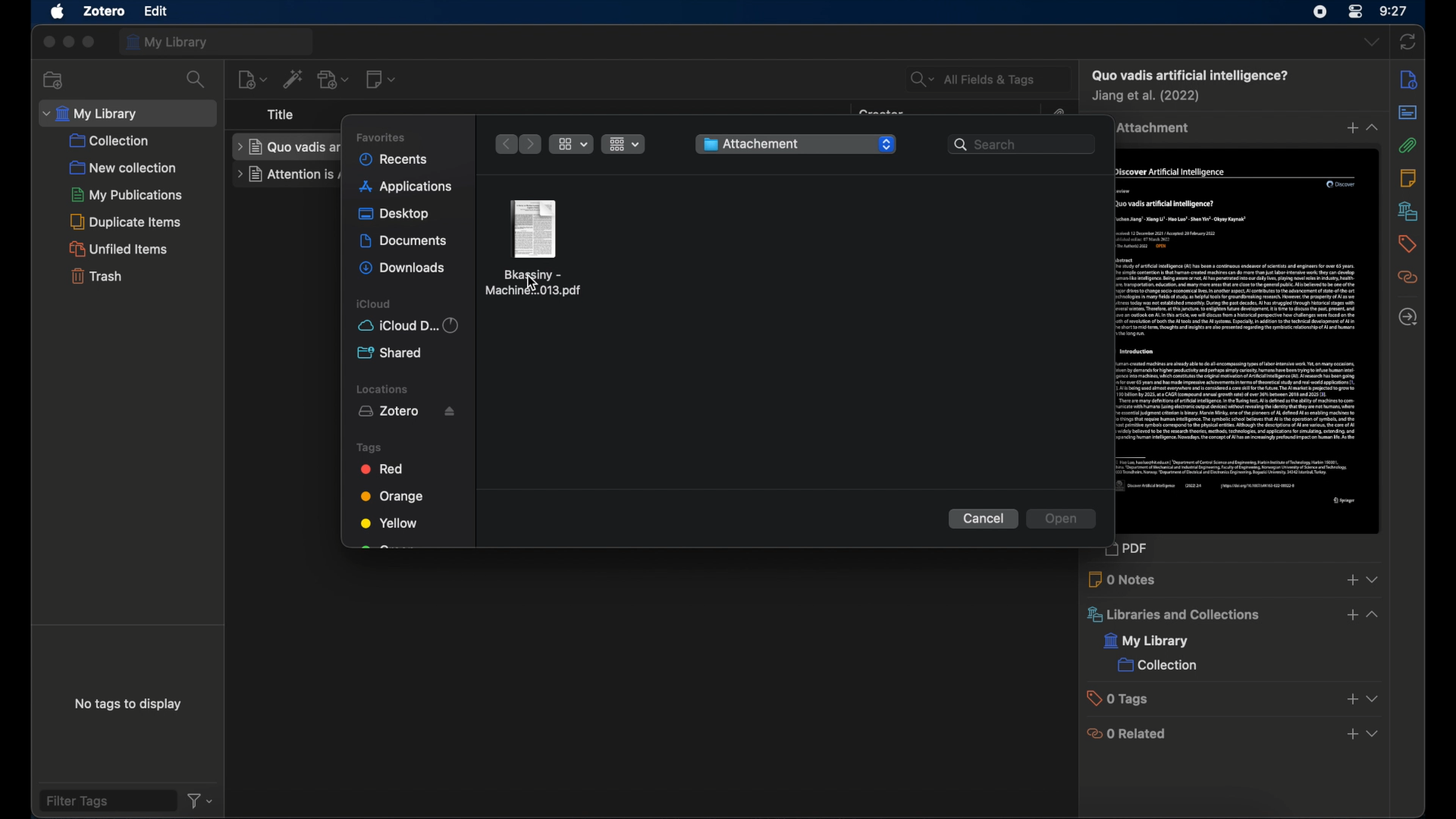 The image size is (1456, 819). Describe the element at coordinates (155, 11) in the screenshot. I see `file` at that location.